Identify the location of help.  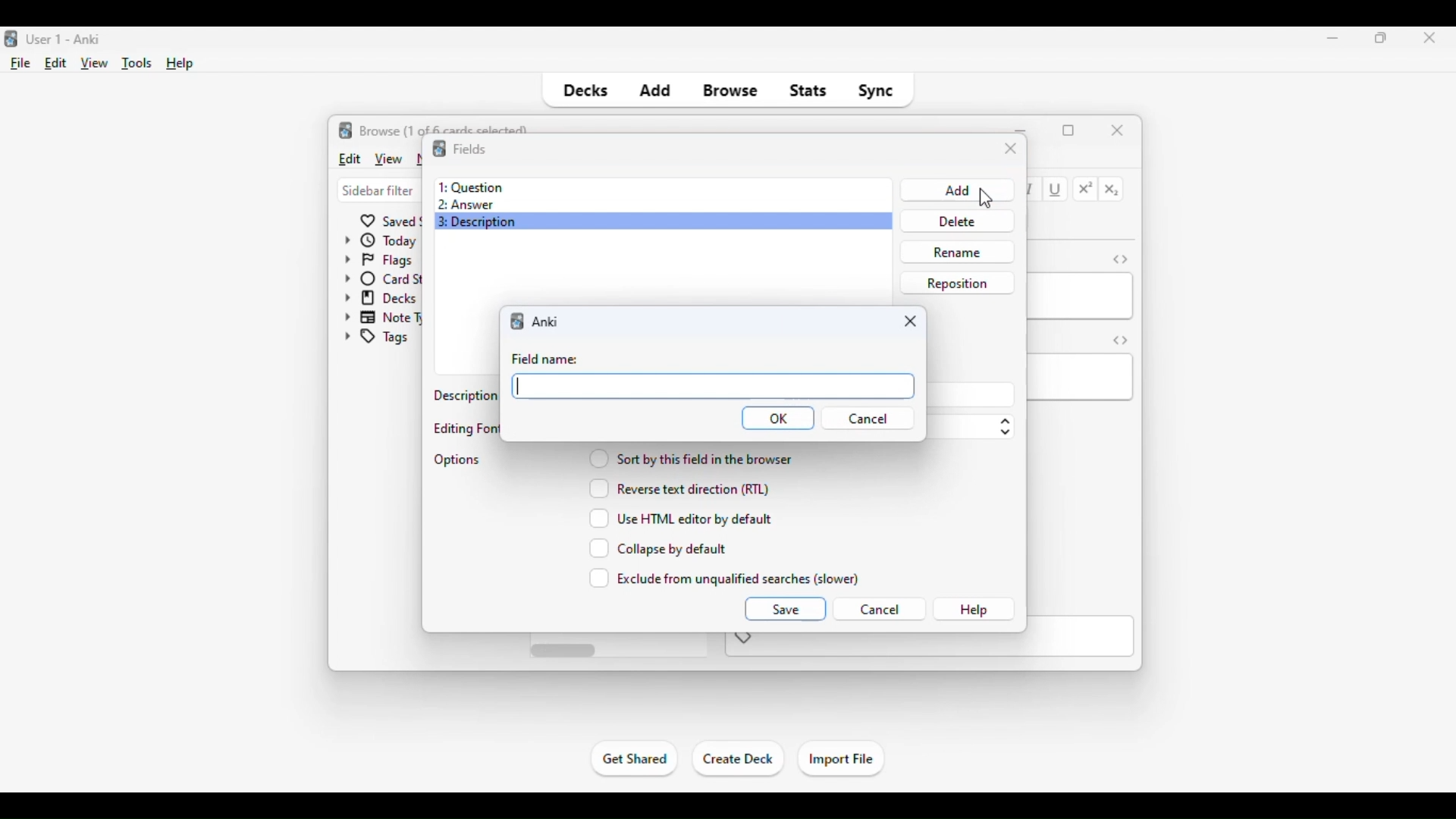
(180, 64).